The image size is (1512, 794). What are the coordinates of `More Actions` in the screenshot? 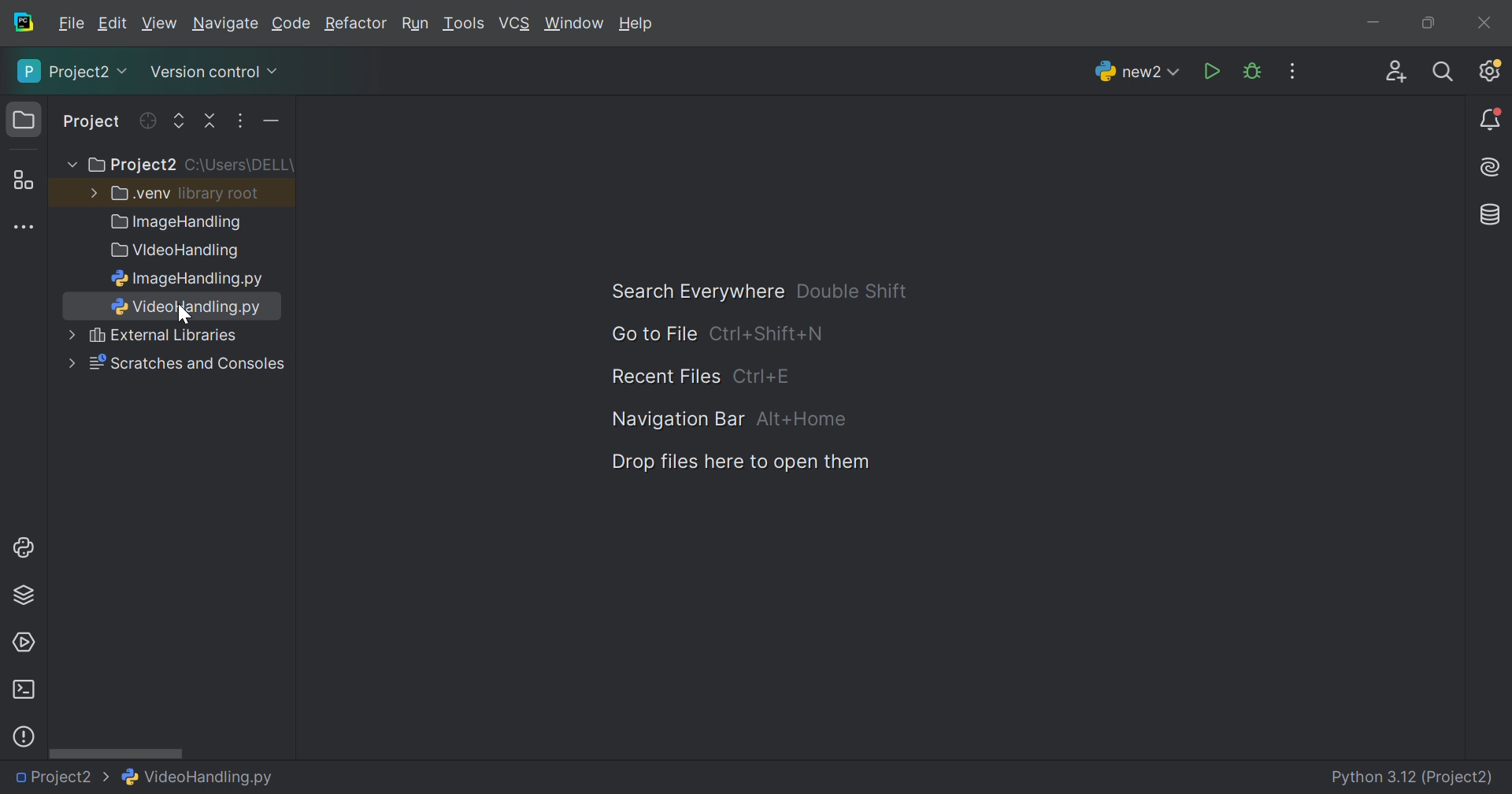 It's located at (1292, 71).